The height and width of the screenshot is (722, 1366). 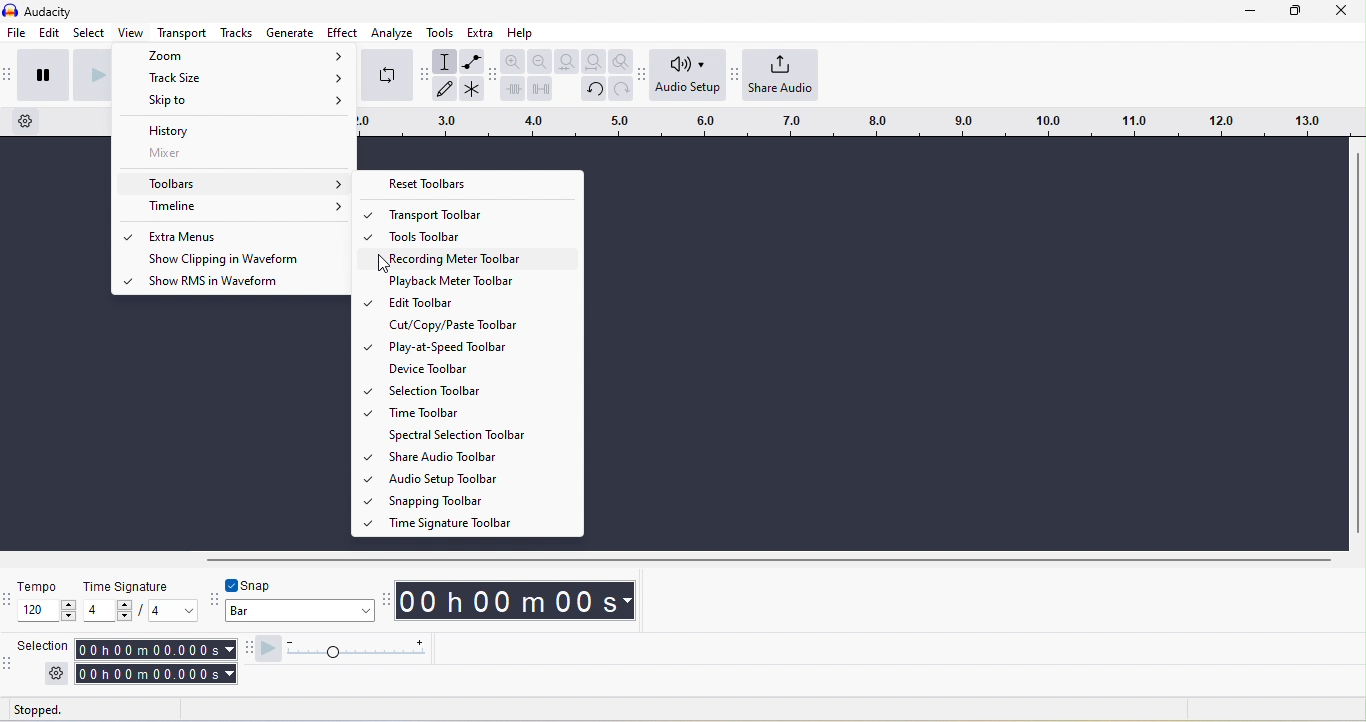 What do you see at coordinates (17, 32) in the screenshot?
I see `file` at bounding box center [17, 32].